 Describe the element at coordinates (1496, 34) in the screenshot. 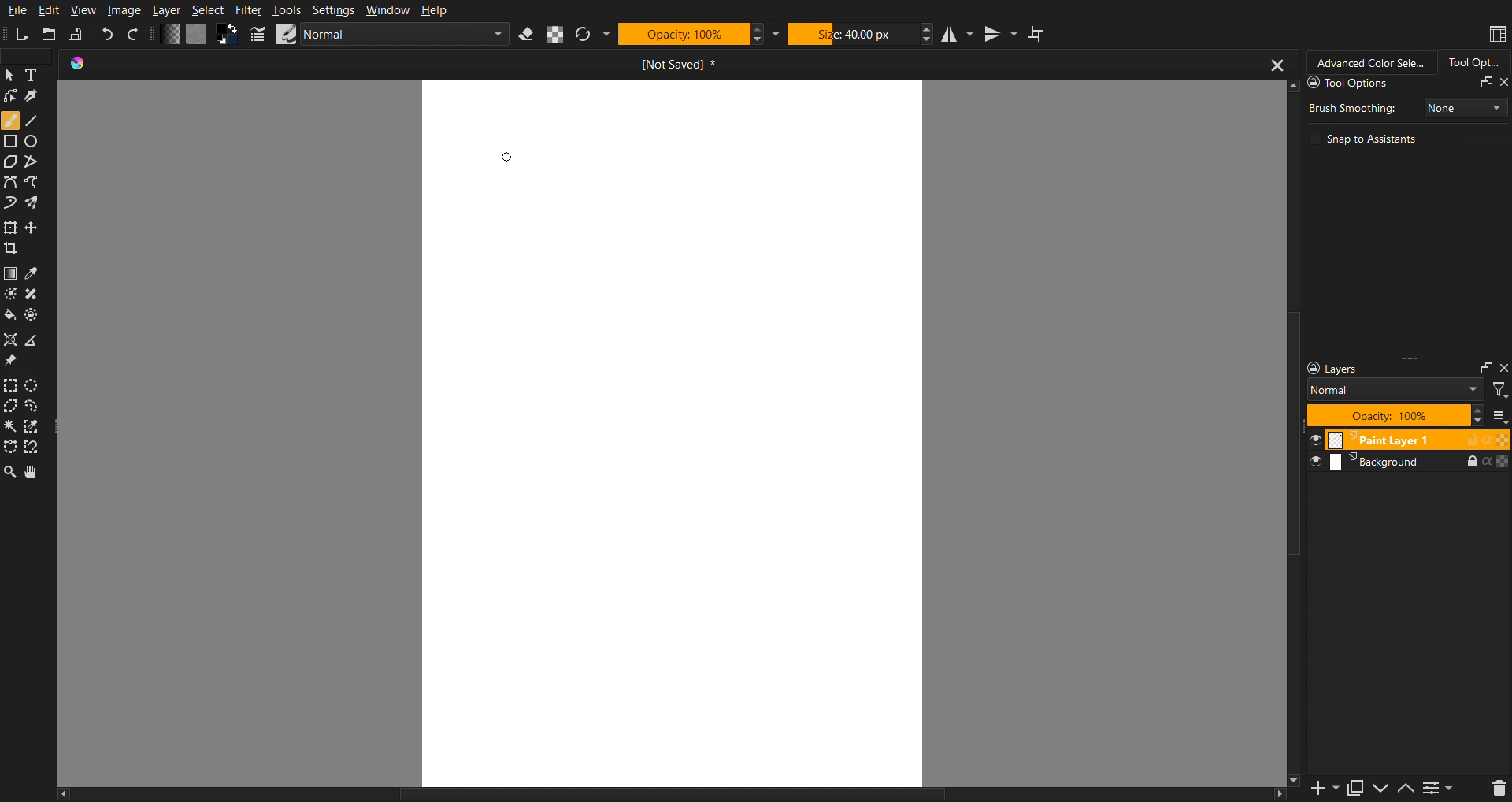

I see `Workspace` at that location.